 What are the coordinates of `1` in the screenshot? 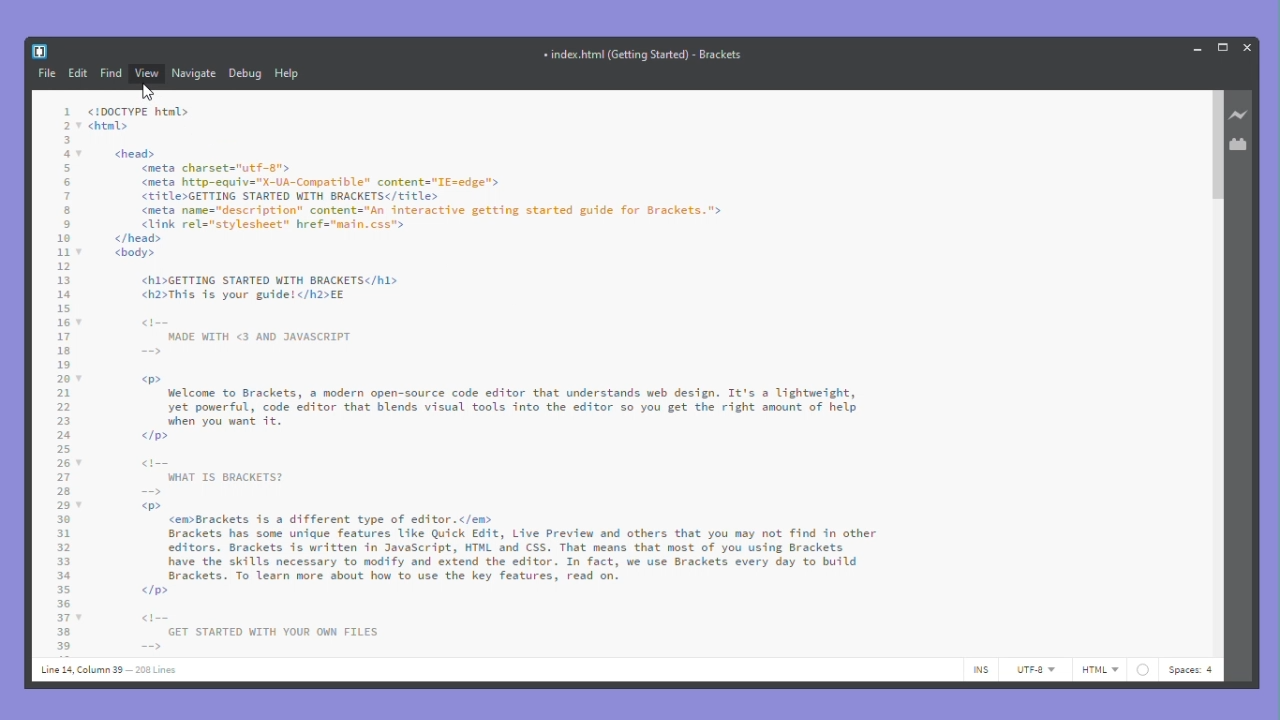 It's located at (67, 111).